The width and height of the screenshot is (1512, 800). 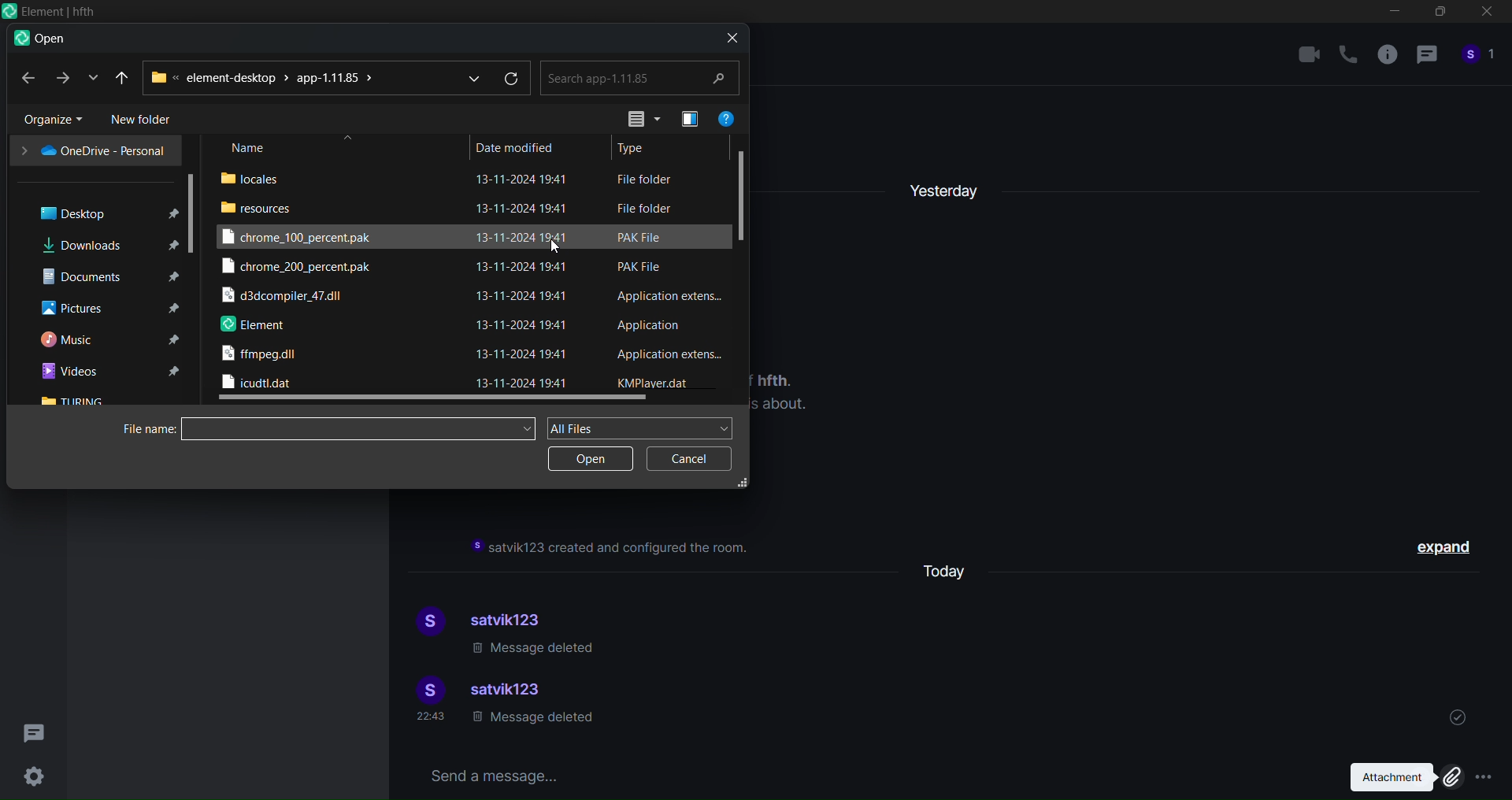 What do you see at coordinates (105, 276) in the screenshot?
I see `documents` at bounding box center [105, 276].